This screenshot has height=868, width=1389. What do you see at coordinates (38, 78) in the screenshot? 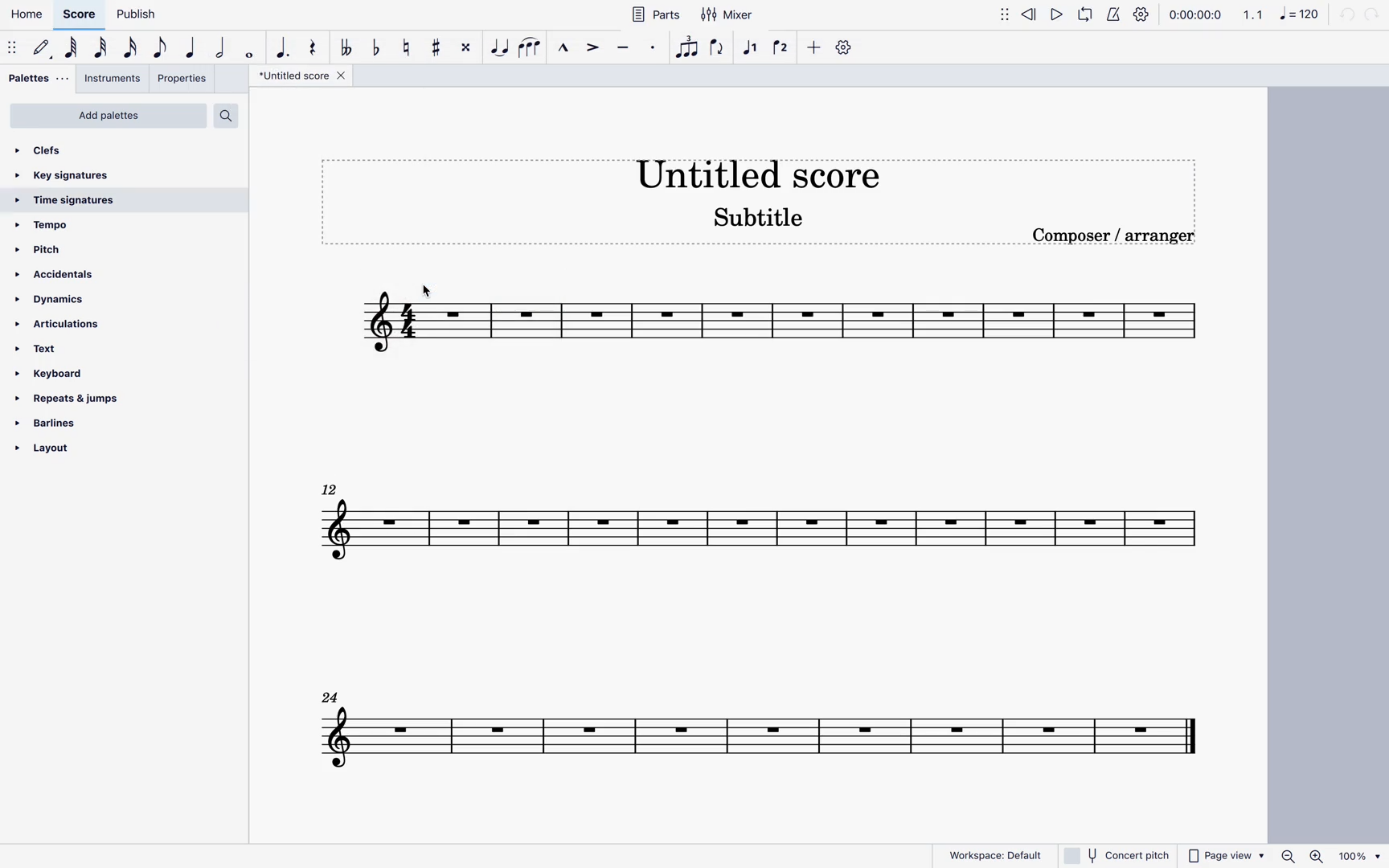
I see `pallets` at bounding box center [38, 78].